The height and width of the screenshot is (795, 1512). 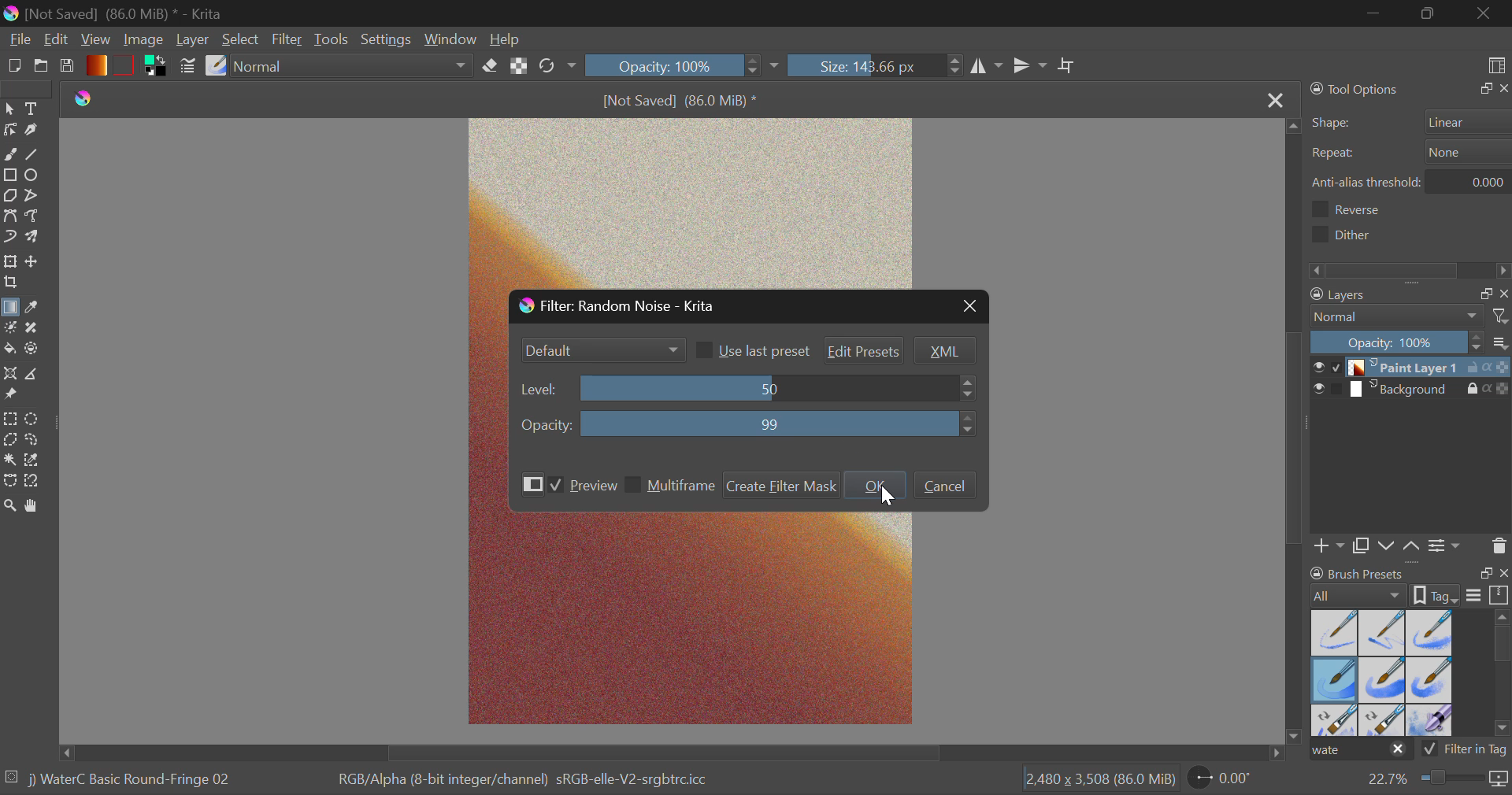 What do you see at coordinates (94, 40) in the screenshot?
I see `View` at bounding box center [94, 40].